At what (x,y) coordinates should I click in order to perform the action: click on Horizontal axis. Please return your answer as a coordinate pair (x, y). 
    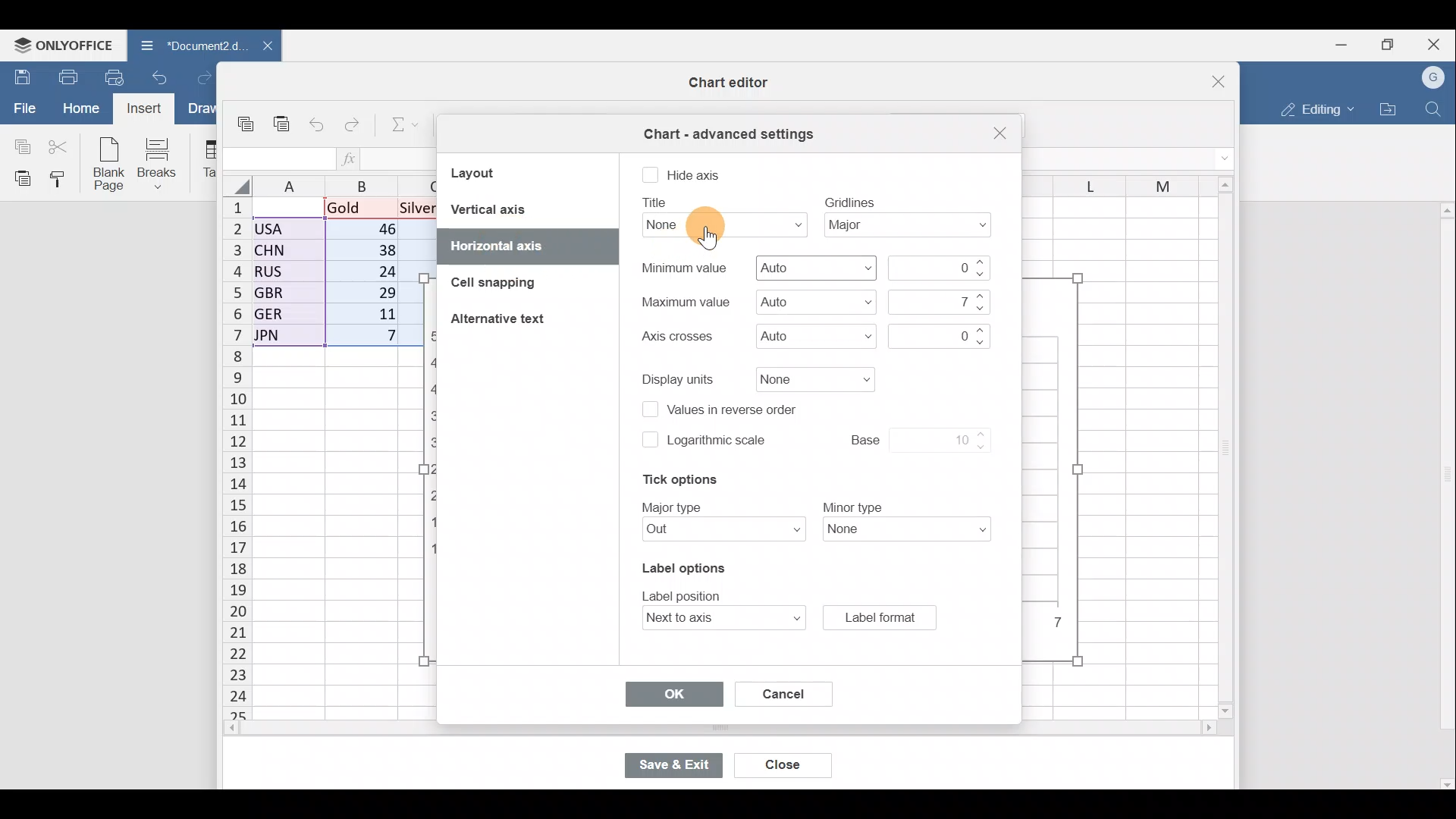
    Looking at the image, I should click on (519, 245).